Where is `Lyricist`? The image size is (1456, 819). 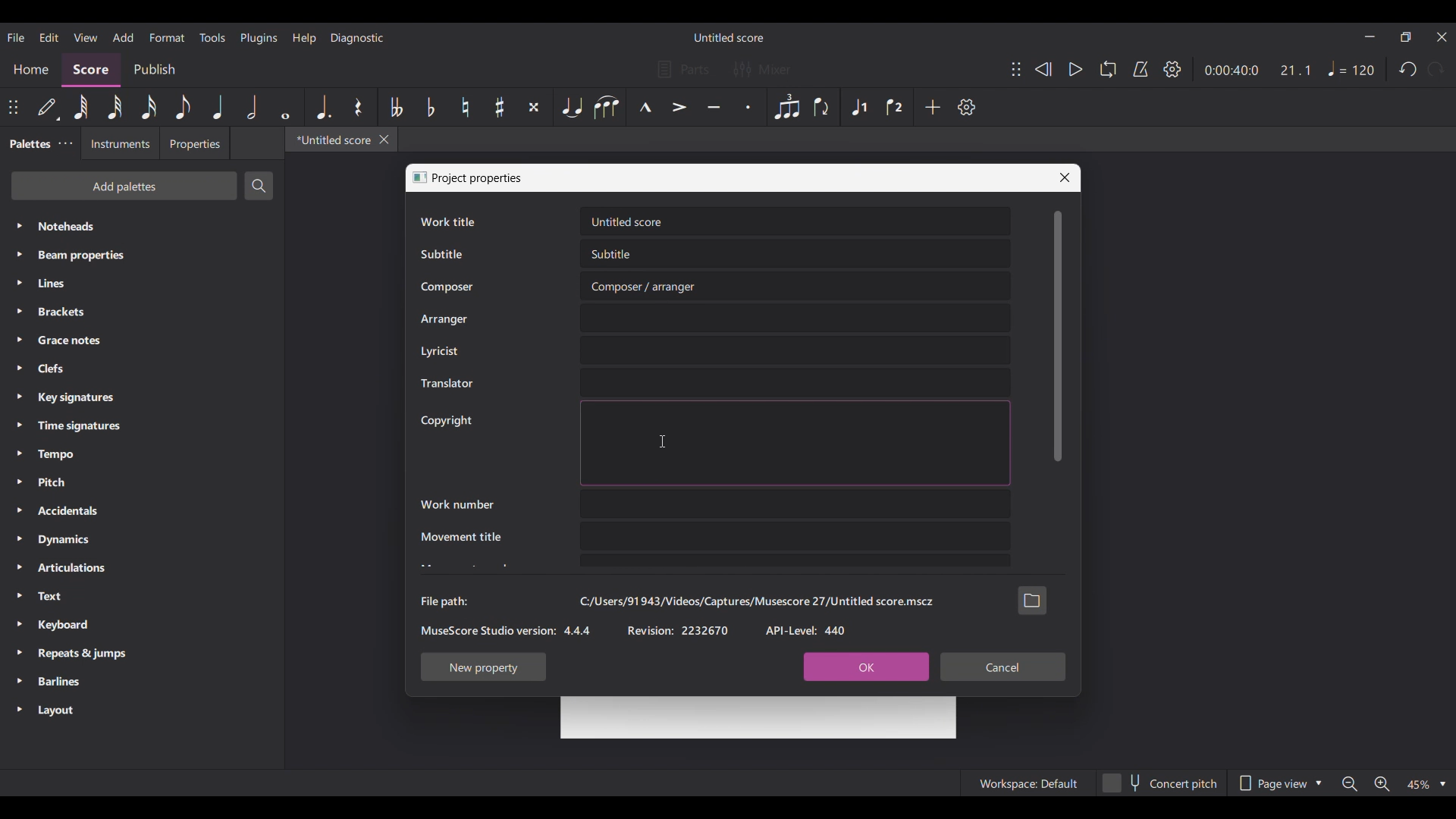
Lyricist is located at coordinates (439, 351).